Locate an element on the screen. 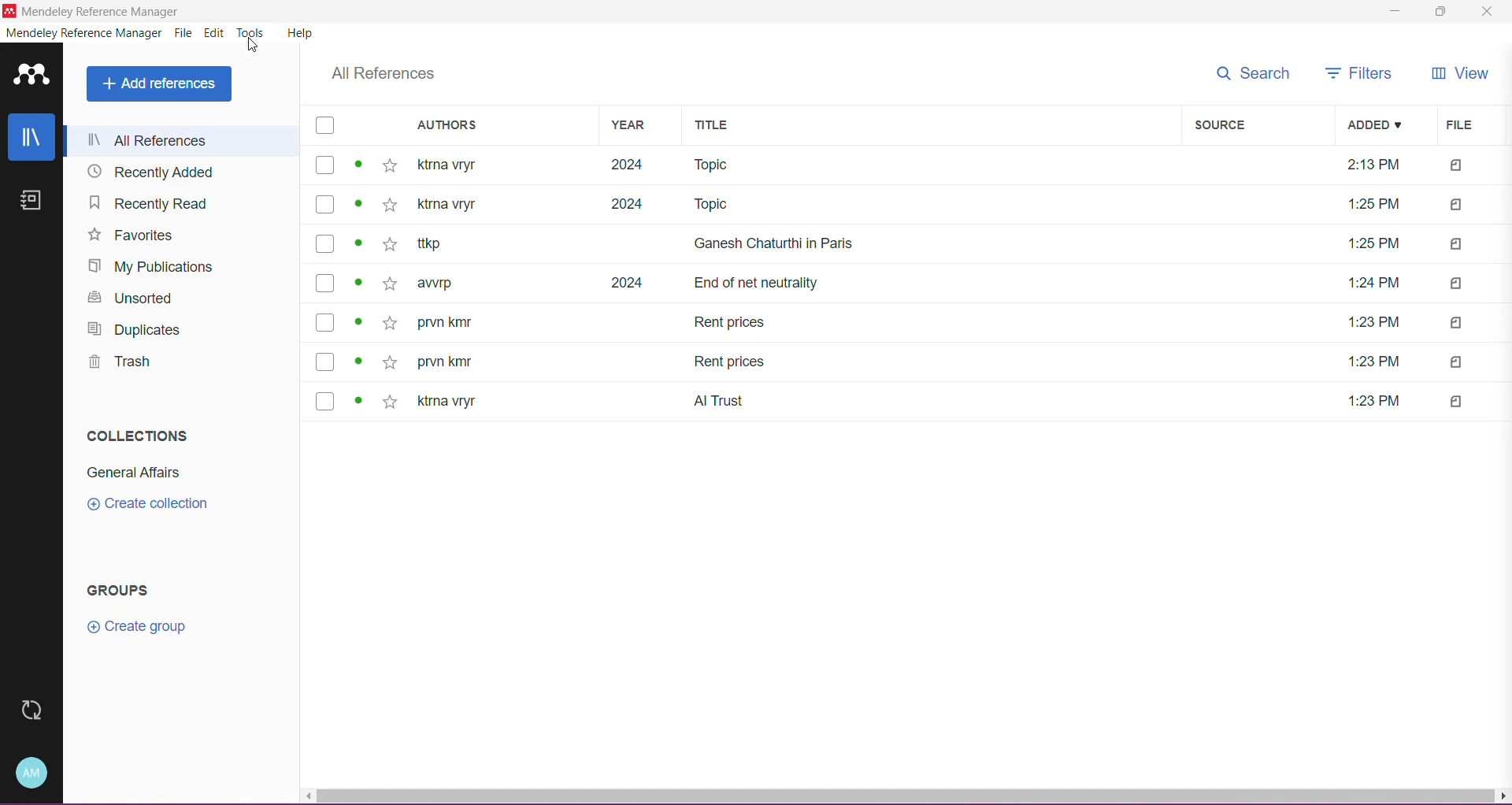 The height and width of the screenshot is (805, 1512). Added is located at coordinates (1379, 125).